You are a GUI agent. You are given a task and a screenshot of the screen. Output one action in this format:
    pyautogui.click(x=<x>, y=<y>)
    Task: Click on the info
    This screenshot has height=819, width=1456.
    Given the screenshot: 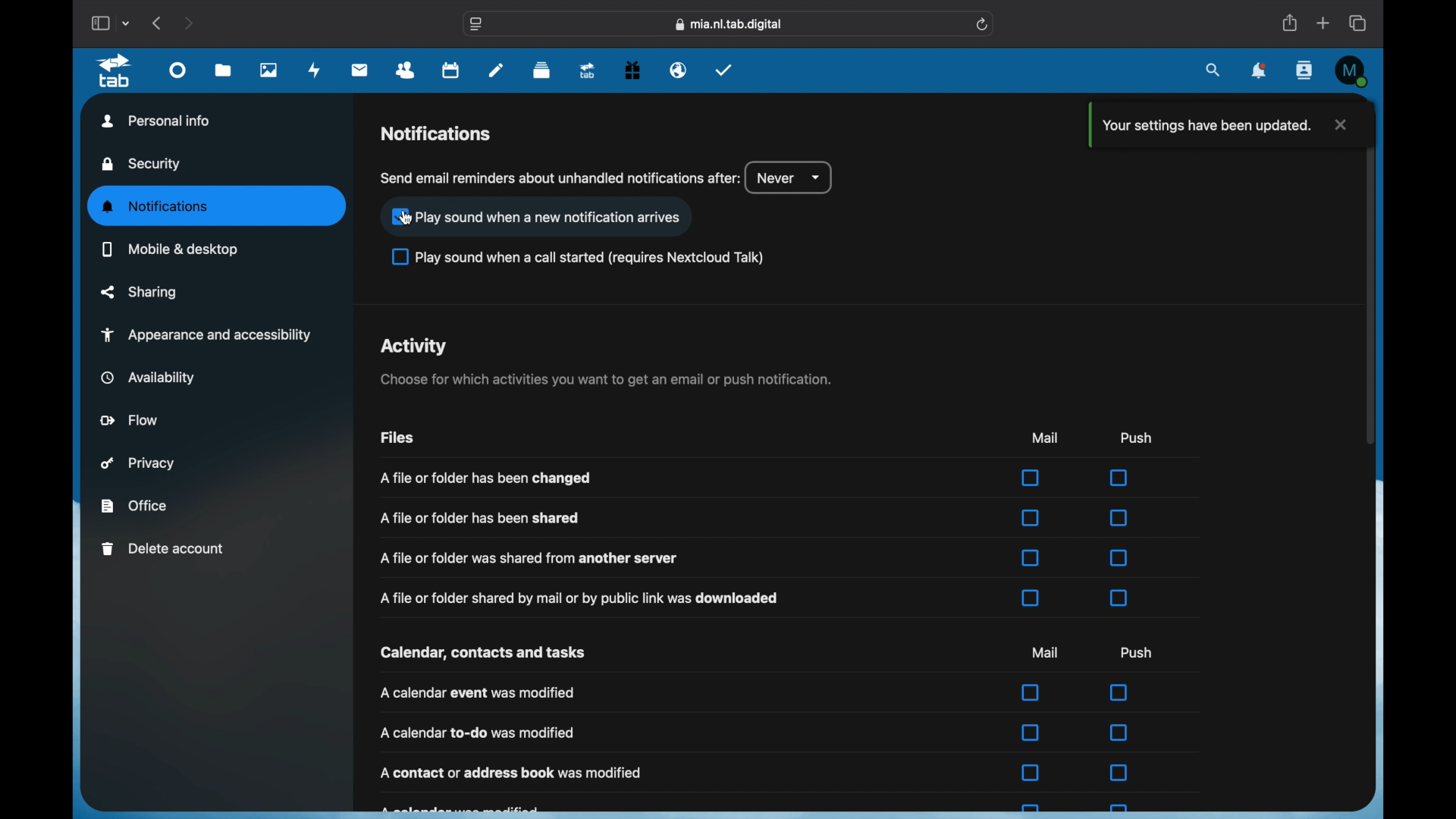 What is the action you would take?
    pyautogui.click(x=485, y=478)
    